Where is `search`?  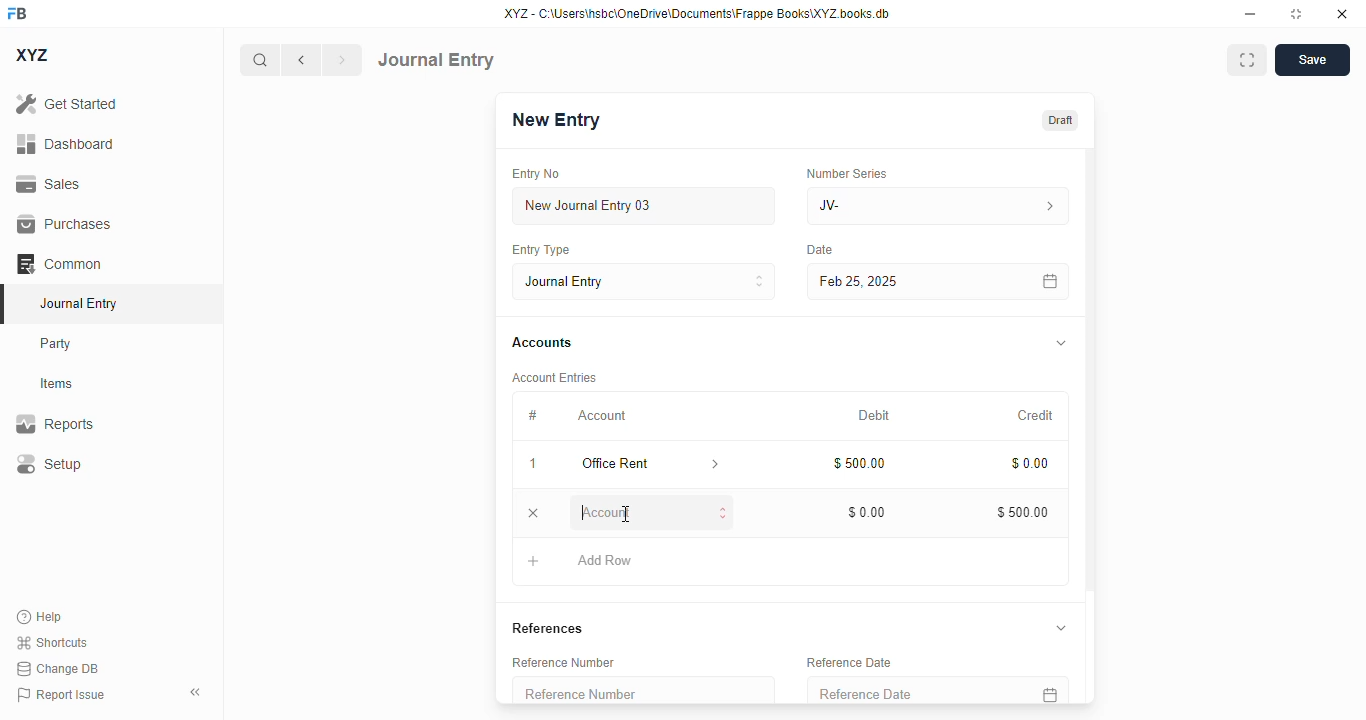
search is located at coordinates (259, 60).